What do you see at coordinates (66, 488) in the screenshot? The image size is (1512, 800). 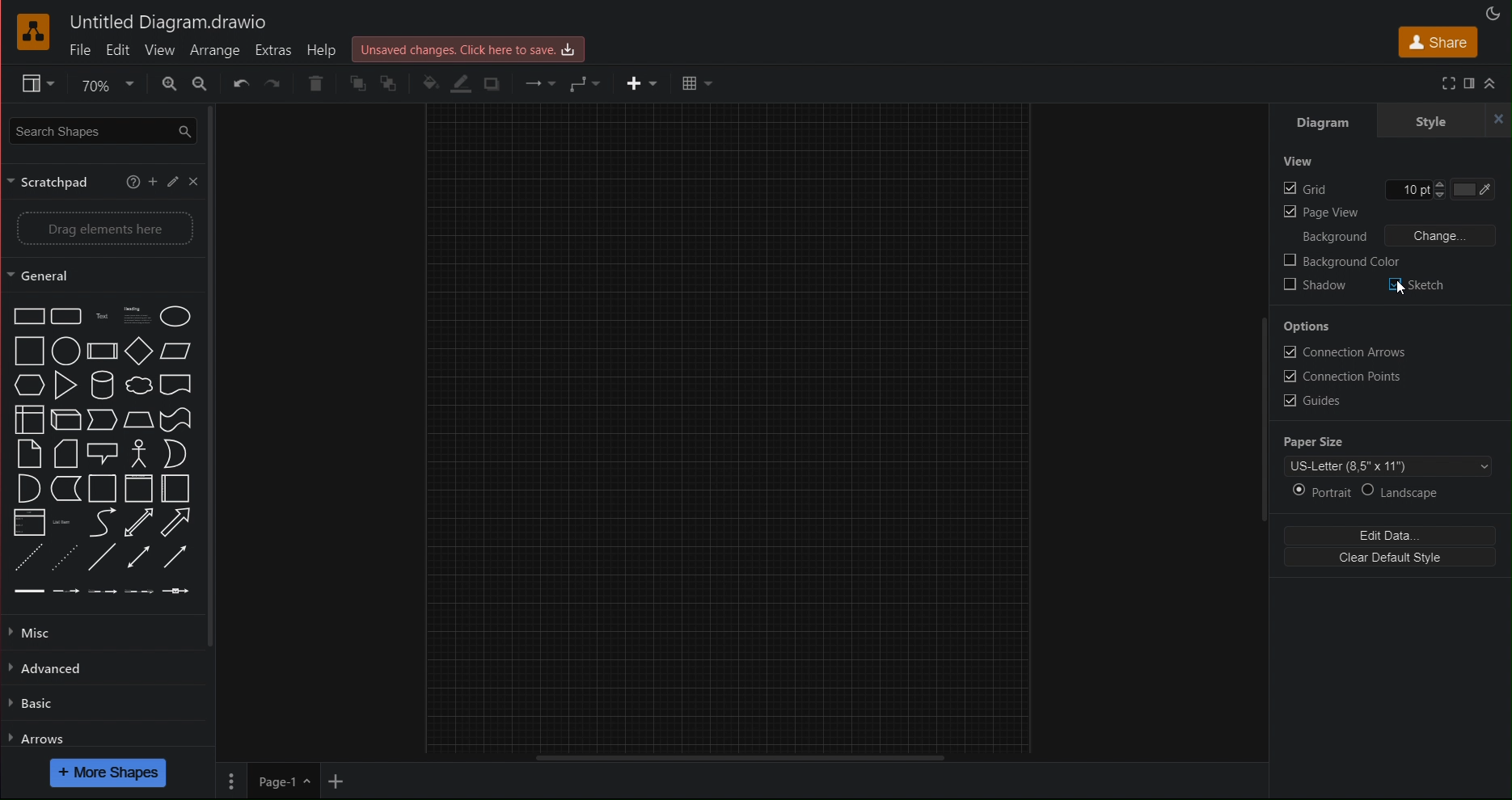 I see `data storage` at bounding box center [66, 488].